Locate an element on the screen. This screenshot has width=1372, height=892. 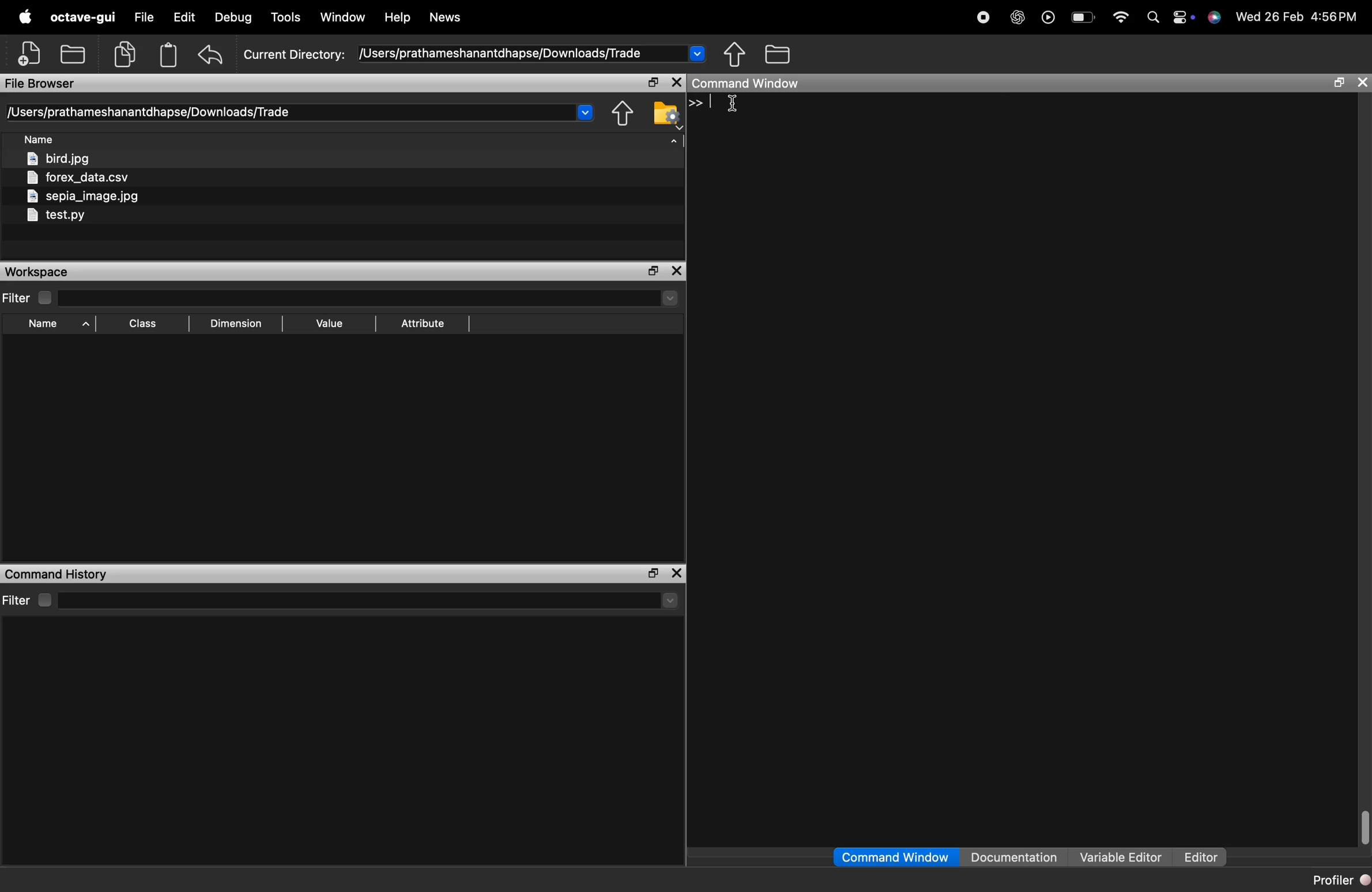
Debug is located at coordinates (233, 18).